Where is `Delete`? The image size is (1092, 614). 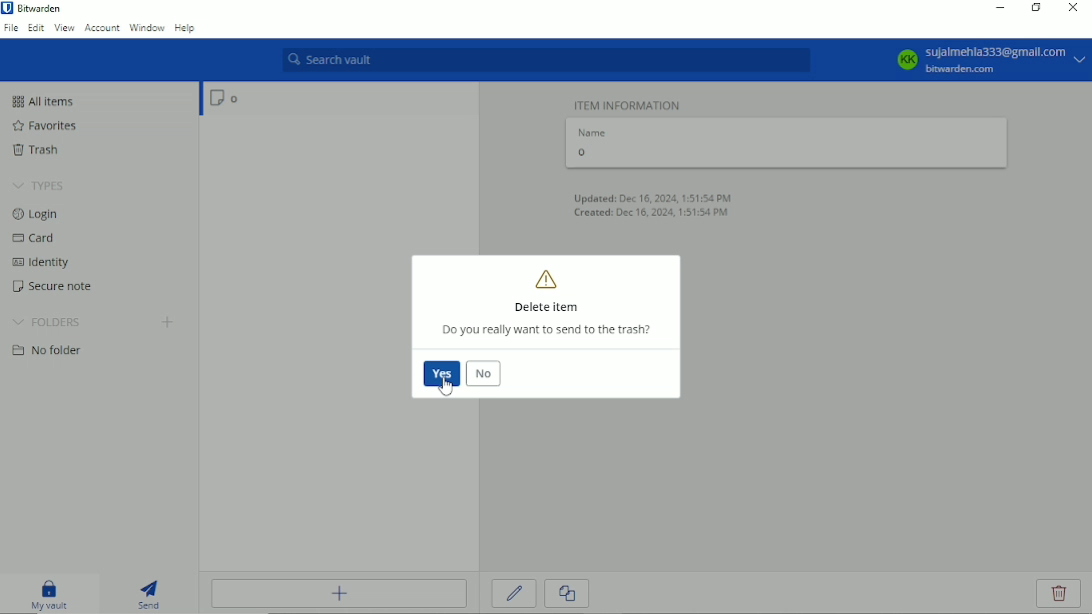
Delete is located at coordinates (1060, 593).